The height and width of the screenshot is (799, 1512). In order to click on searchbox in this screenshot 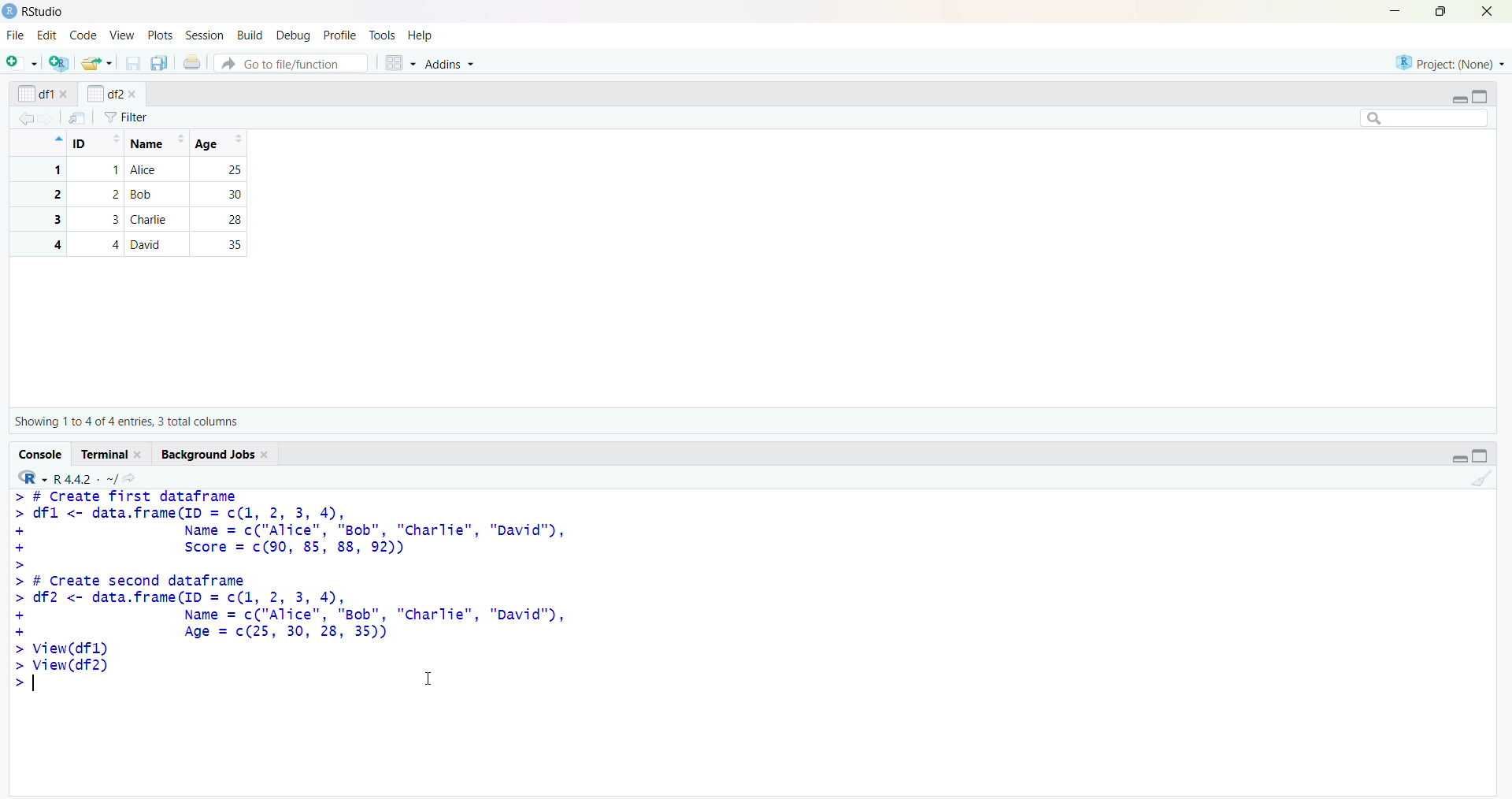, I will do `click(1425, 117)`.